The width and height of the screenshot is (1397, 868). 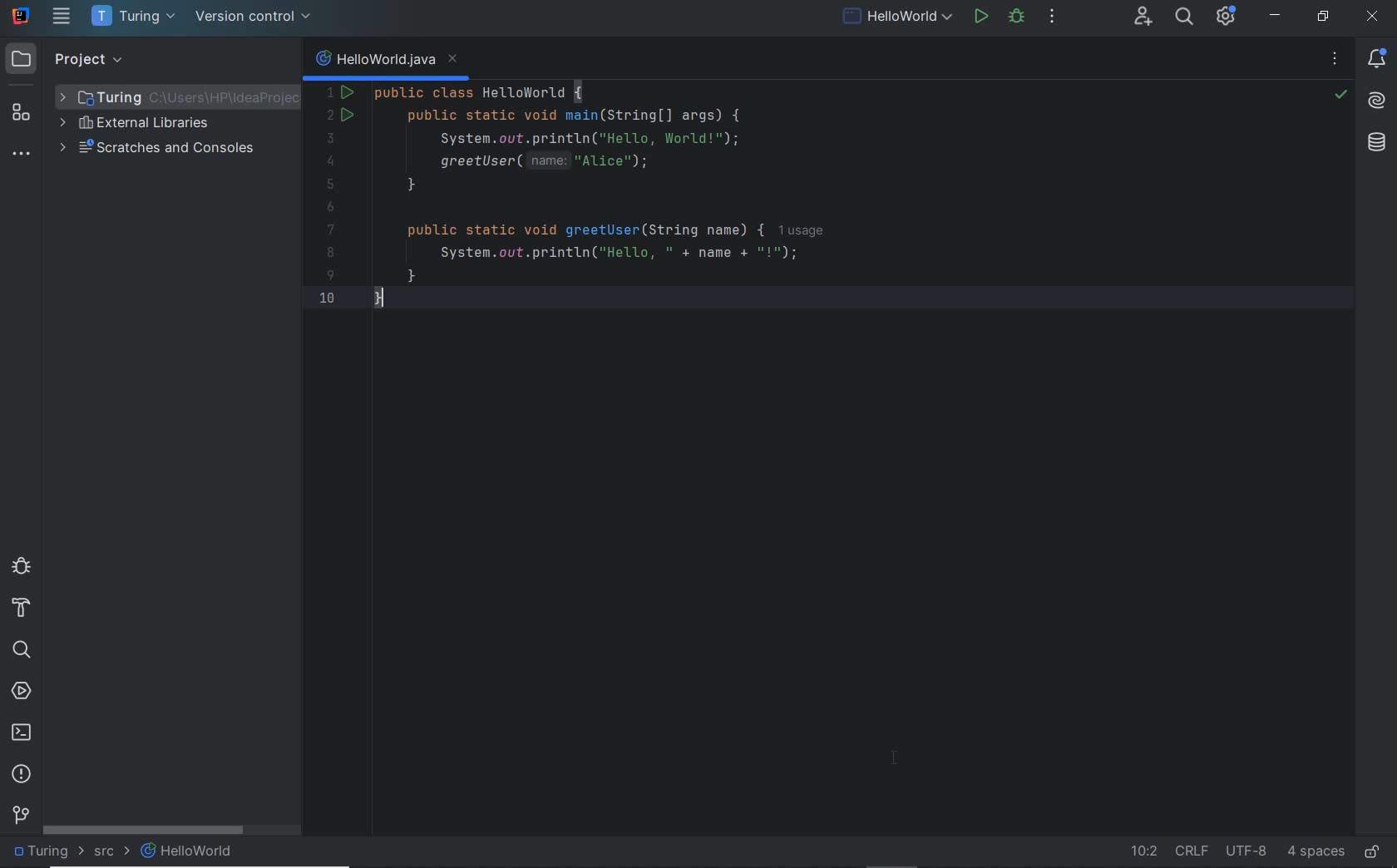 I want to click on build, so click(x=22, y=609).